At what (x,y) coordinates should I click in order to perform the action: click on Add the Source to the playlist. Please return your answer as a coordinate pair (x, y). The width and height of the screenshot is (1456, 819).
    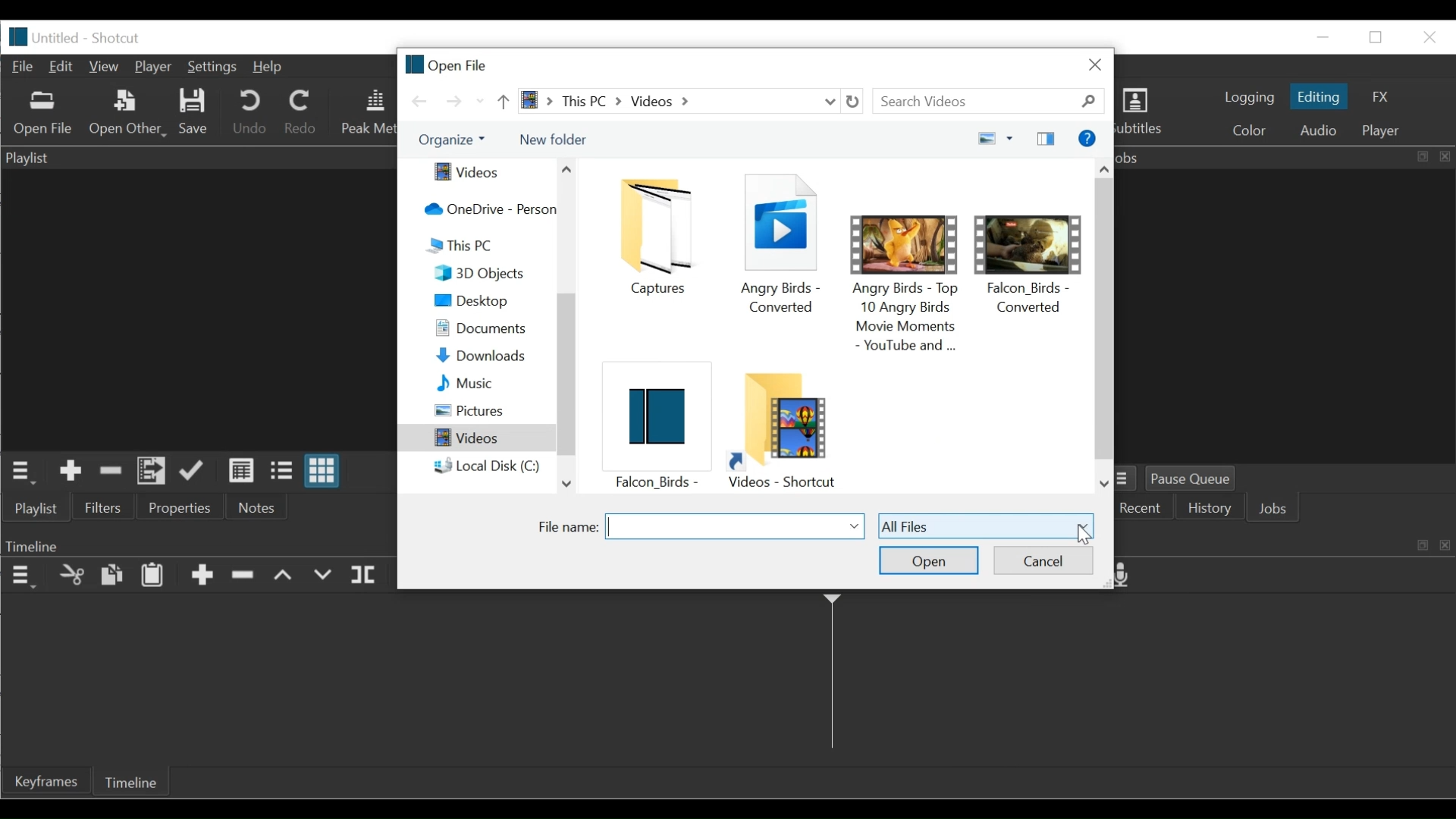
    Looking at the image, I should click on (71, 472).